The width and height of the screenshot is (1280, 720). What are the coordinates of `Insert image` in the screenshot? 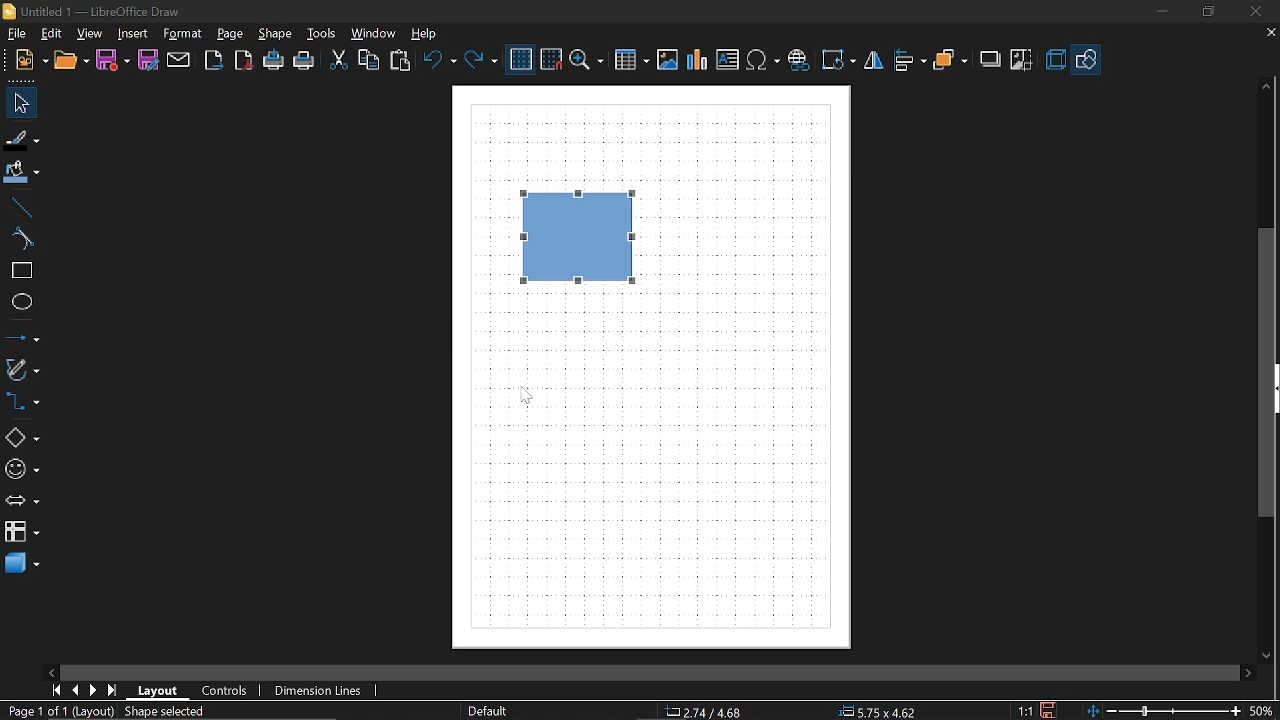 It's located at (667, 60).